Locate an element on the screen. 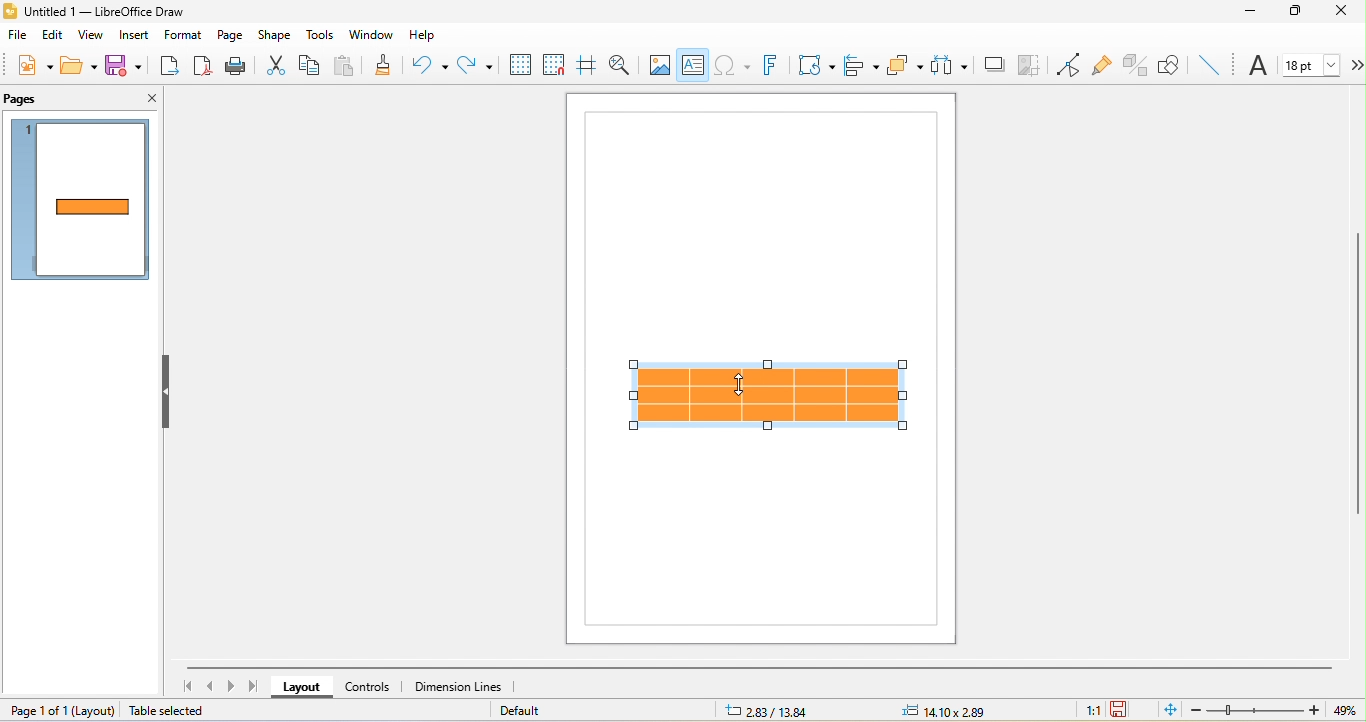 This screenshot has height=722, width=1366. page 1 of 1 is located at coordinates (35, 709).